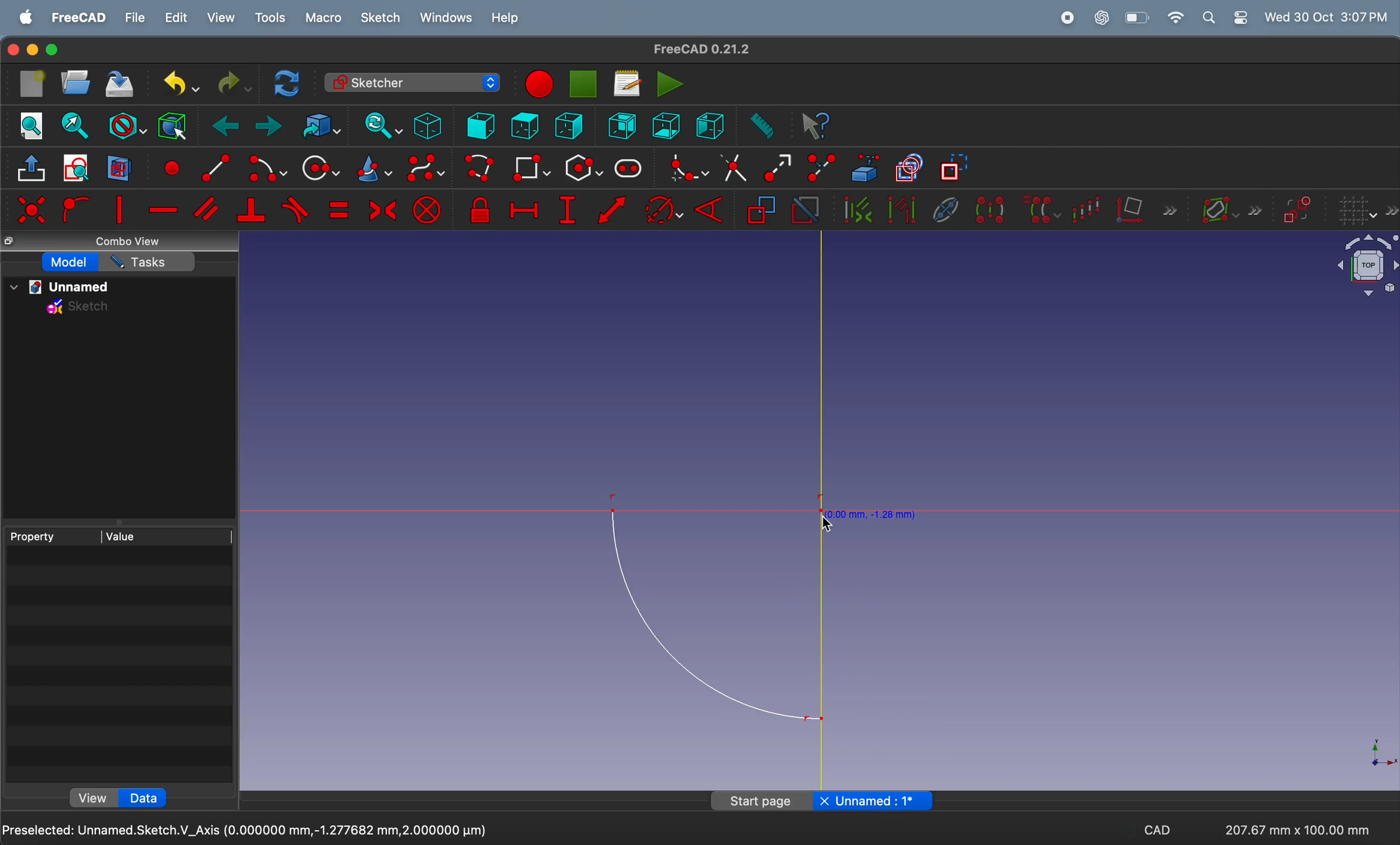 This screenshot has height=845, width=1400. I want to click on create external geometry, so click(866, 168).